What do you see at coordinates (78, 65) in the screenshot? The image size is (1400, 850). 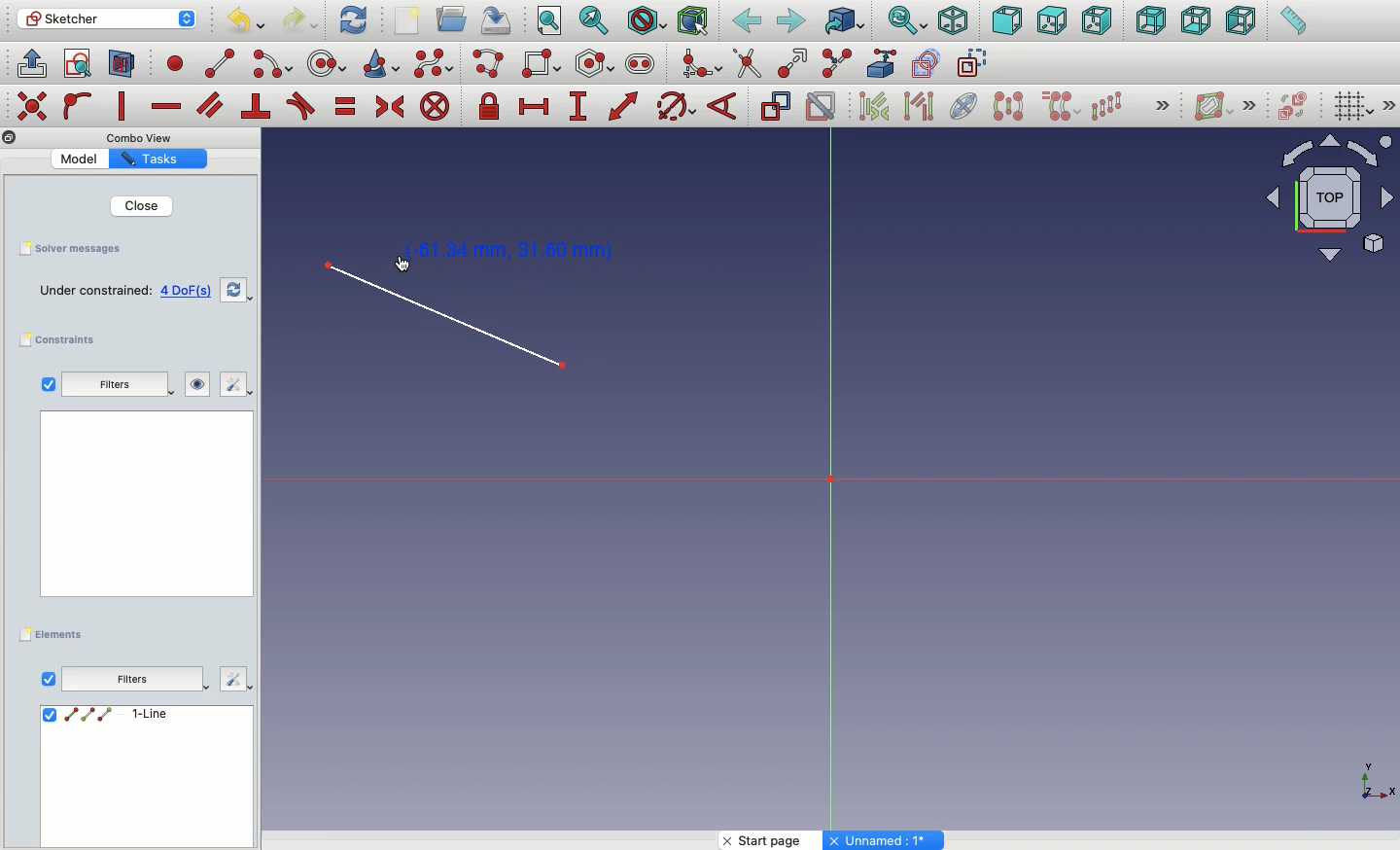 I see `View sketch` at bounding box center [78, 65].